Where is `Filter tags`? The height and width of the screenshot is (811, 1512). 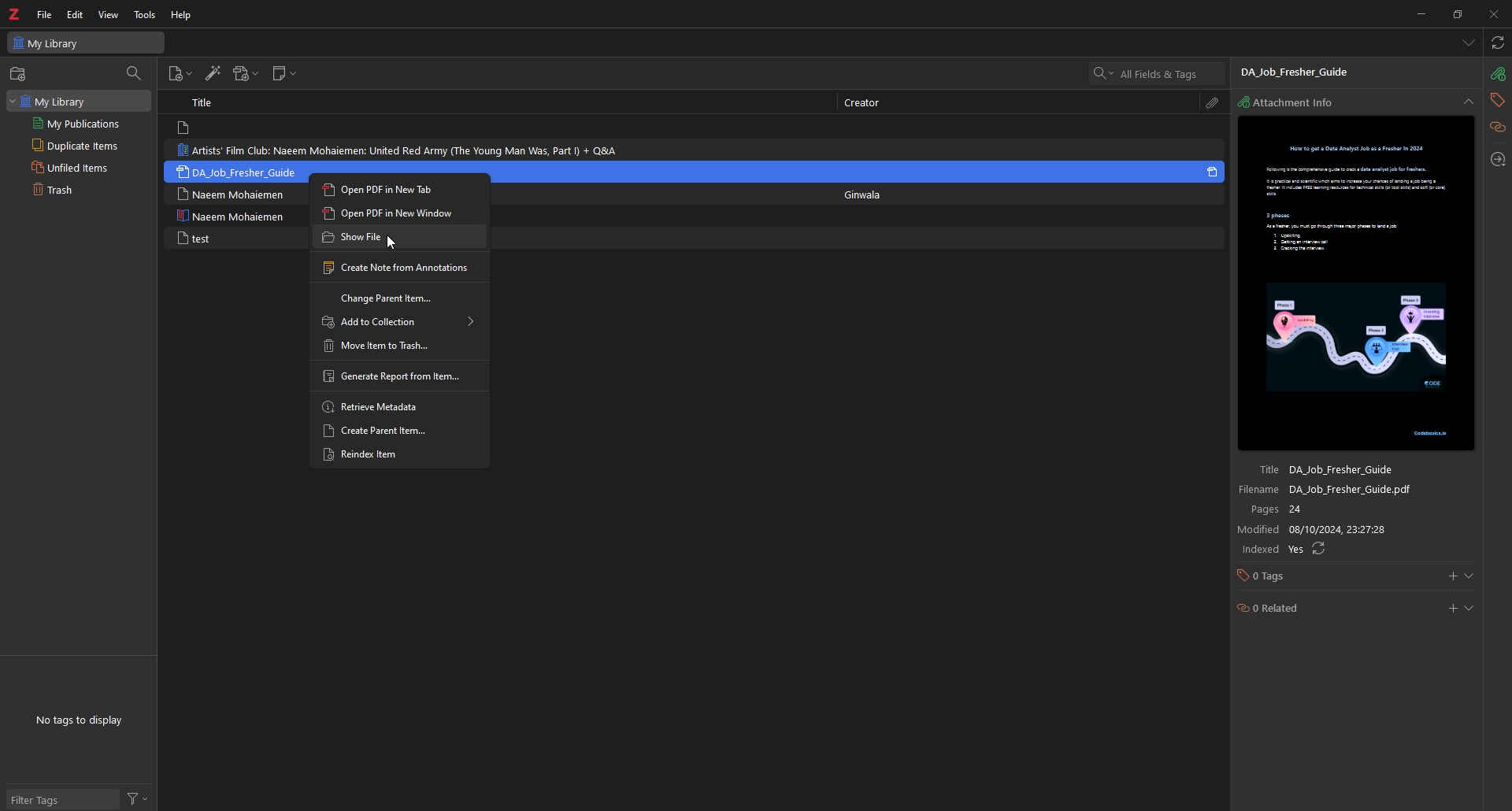
Filter tags is located at coordinates (55, 799).